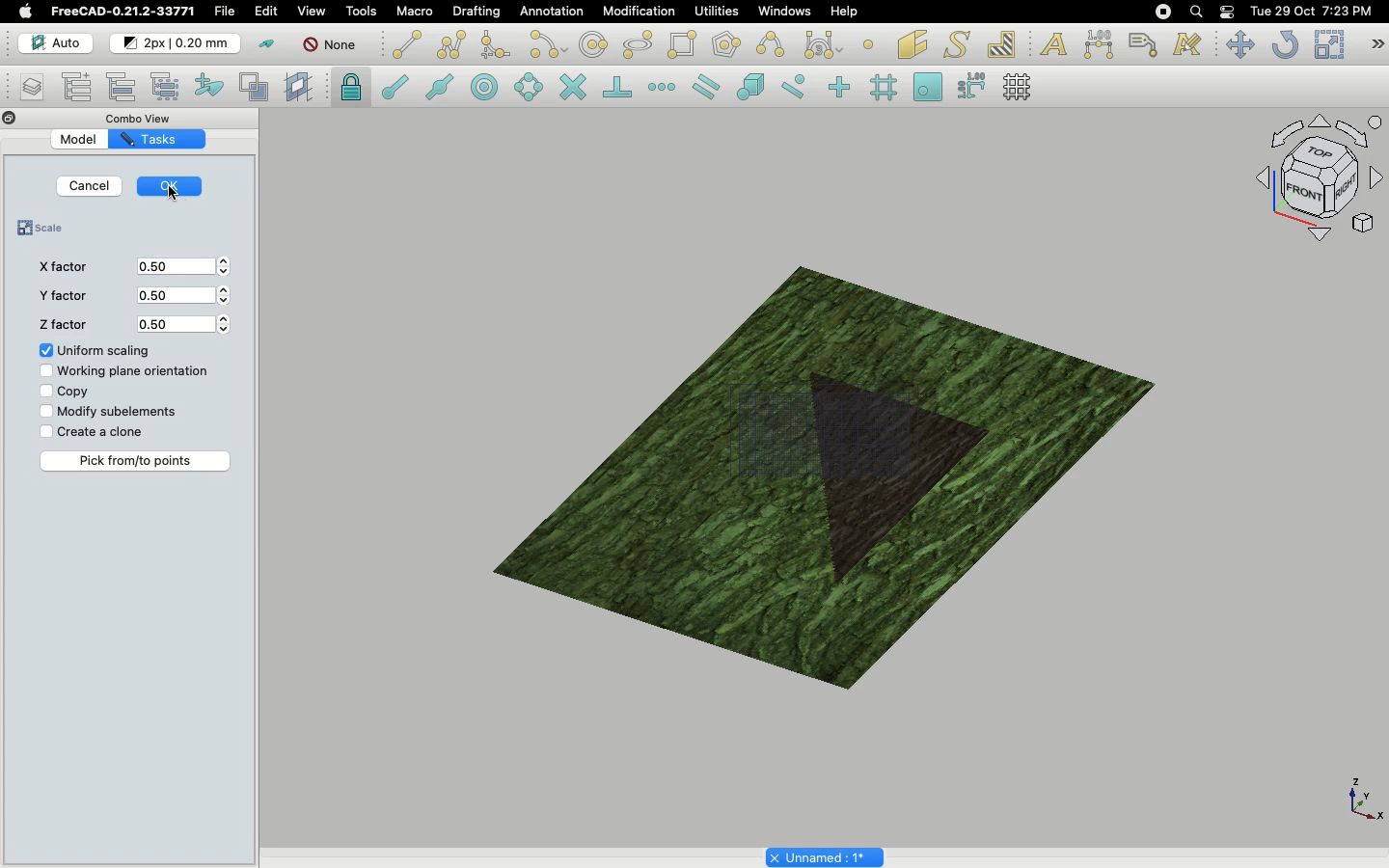 This screenshot has width=1389, height=868. Describe the element at coordinates (301, 89) in the screenshot. I see `Create working plane proxy` at that location.